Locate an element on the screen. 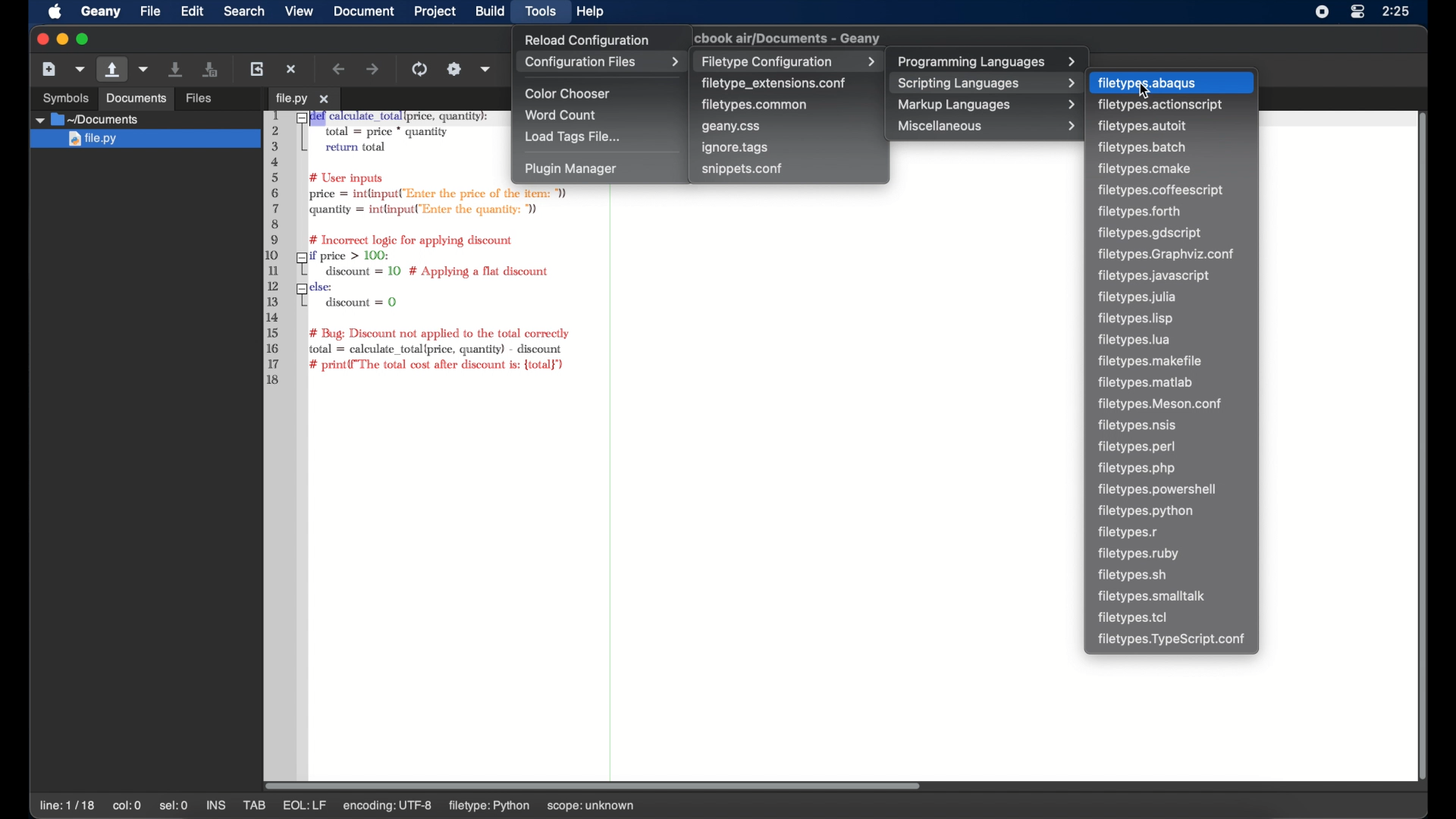 This screenshot has width=1456, height=819. build the current file is located at coordinates (454, 69).